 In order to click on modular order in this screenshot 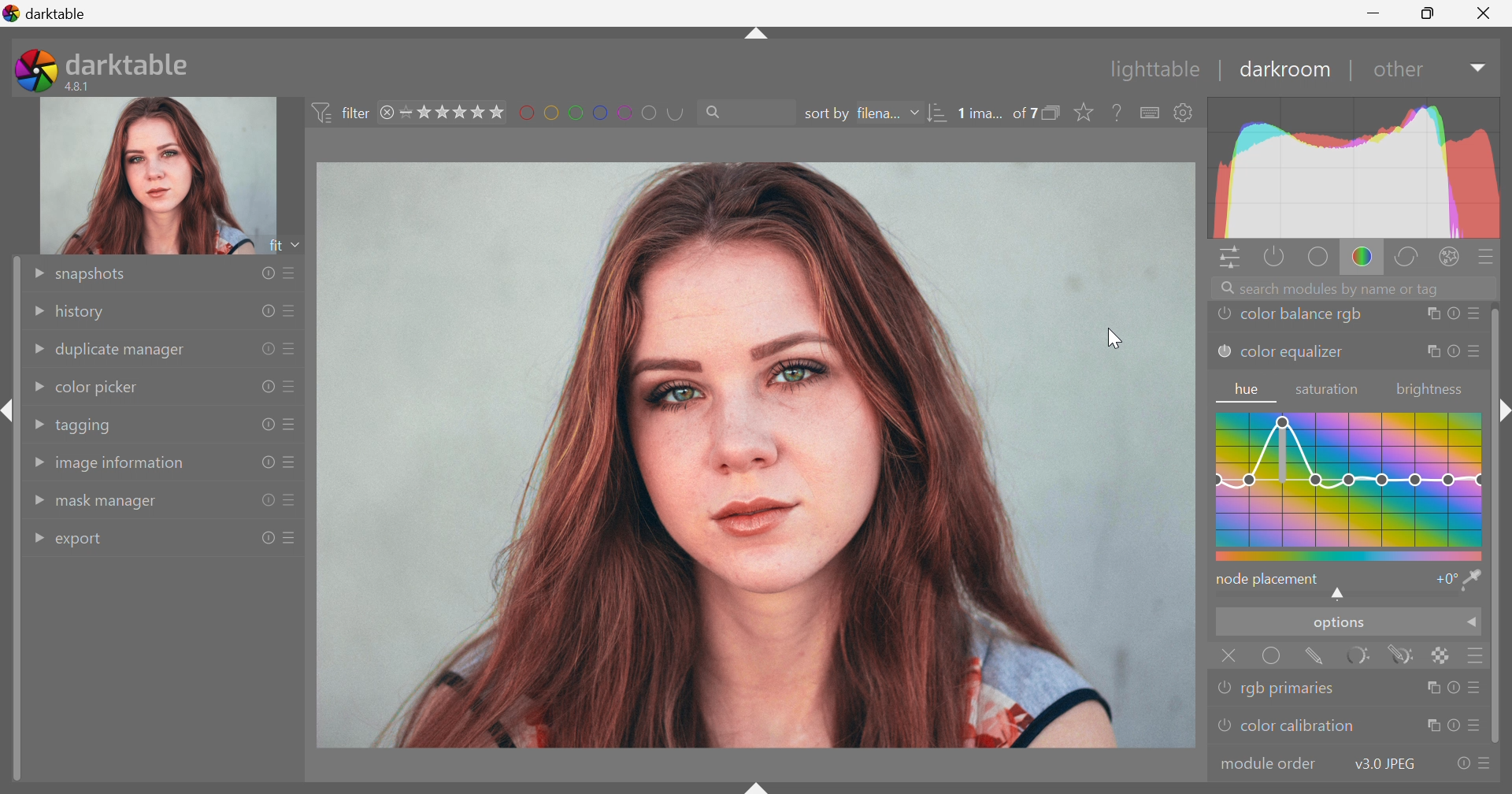, I will do `click(1269, 762)`.